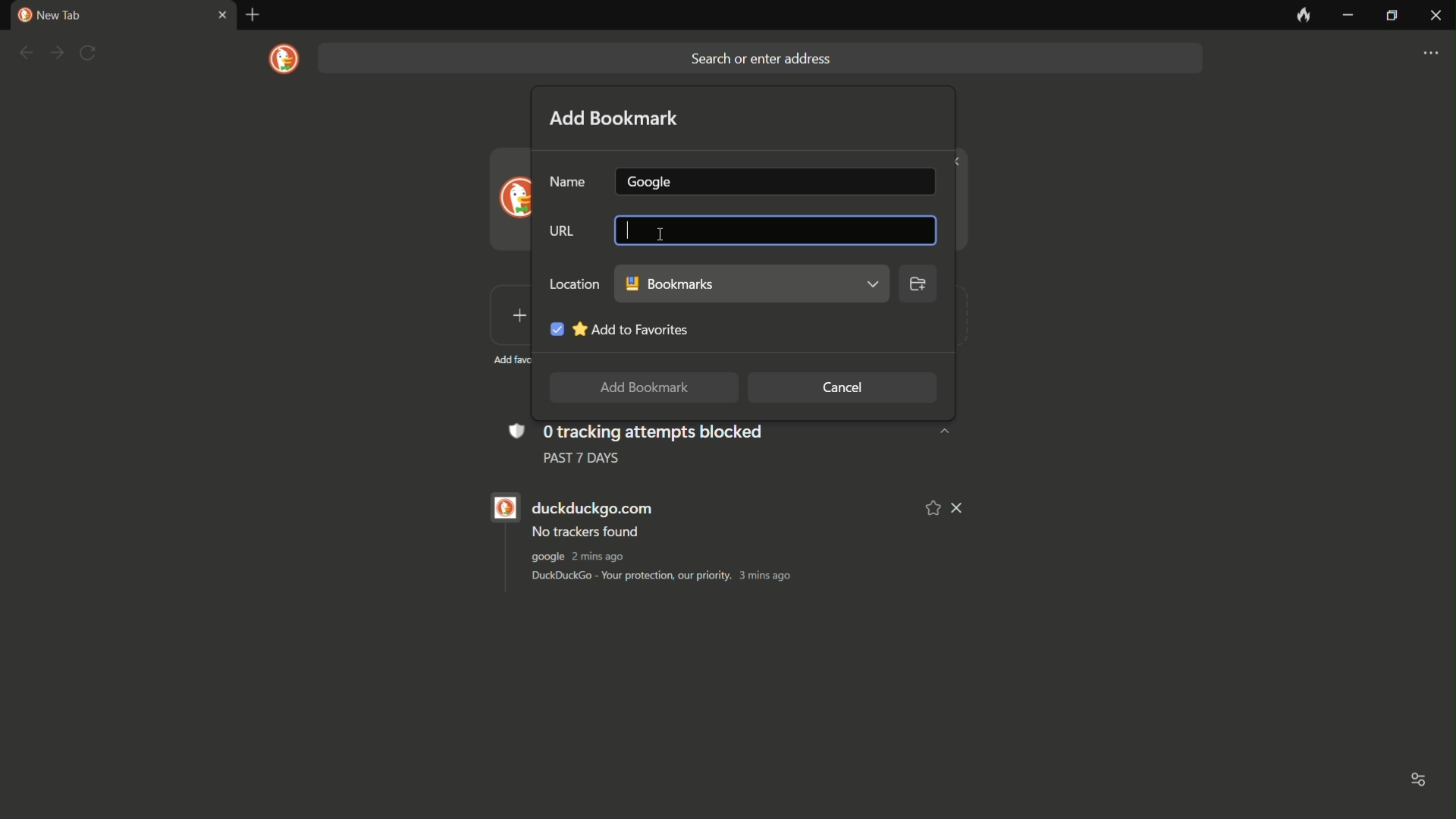 The width and height of the screenshot is (1456, 819). I want to click on name bar, so click(773, 179).